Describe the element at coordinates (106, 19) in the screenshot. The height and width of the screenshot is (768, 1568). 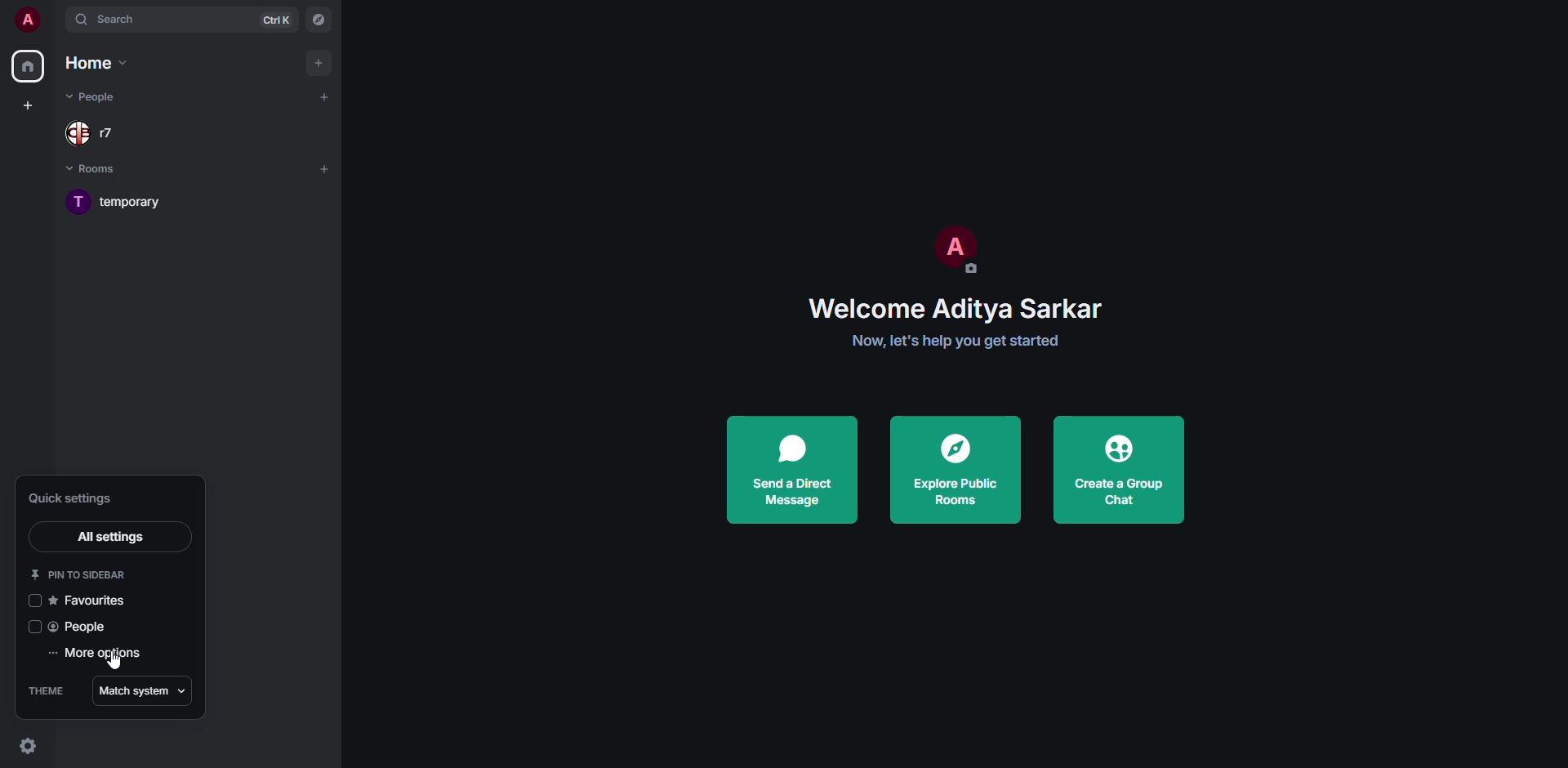
I see `search` at that location.